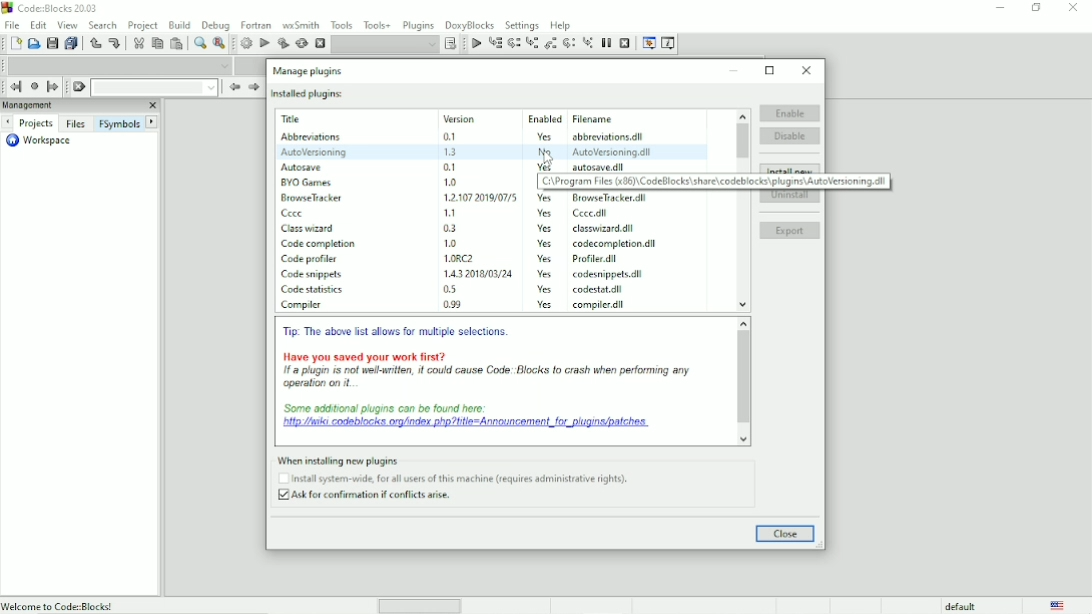 The image size is (1092, 614). What do you see at coordinates (177, 43) in the screenshot?
I see `Paste` at bounding box center [177, 43].